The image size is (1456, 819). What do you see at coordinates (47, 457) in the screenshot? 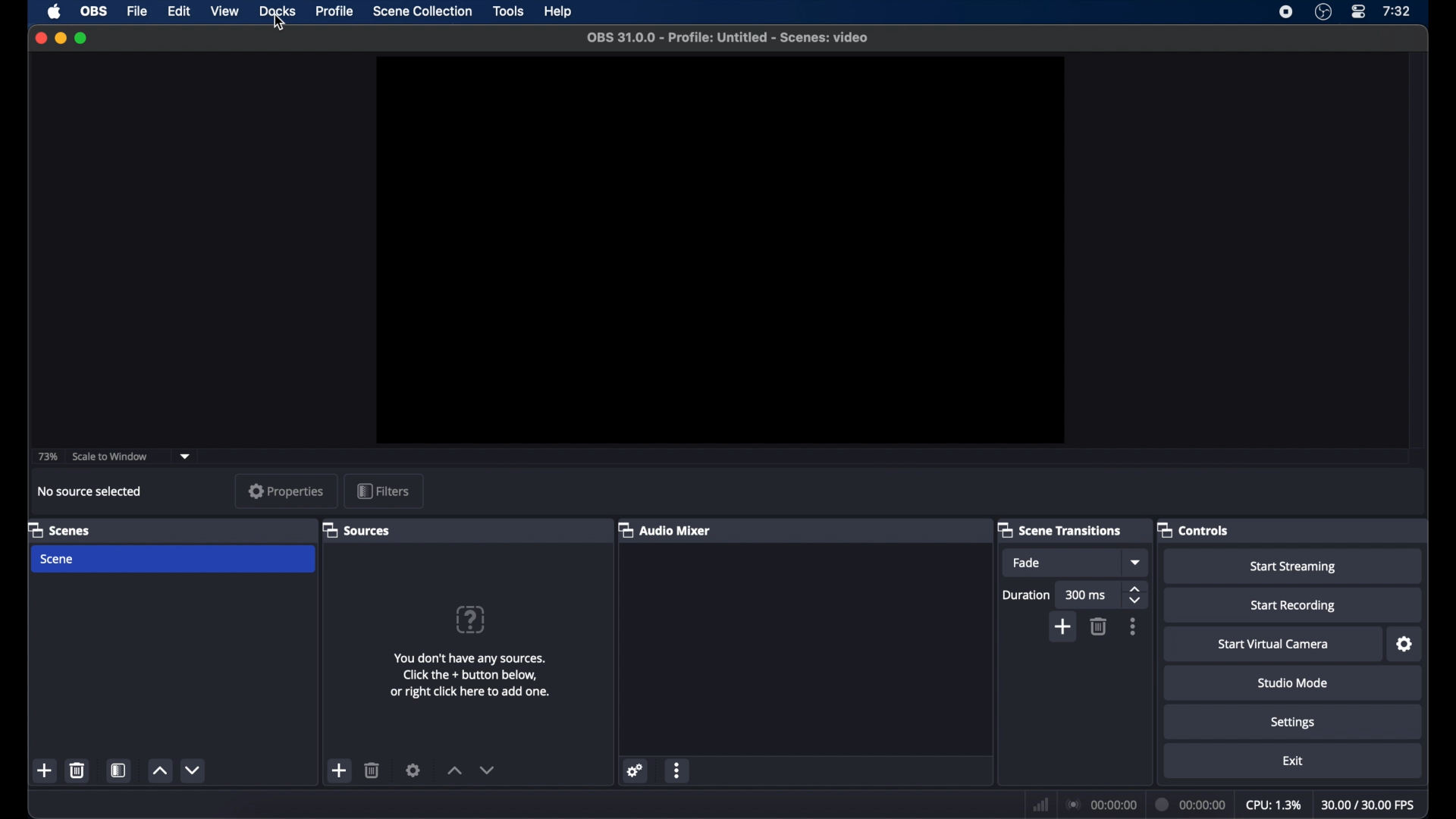
I see `73%` at bounding box center [47, 457].